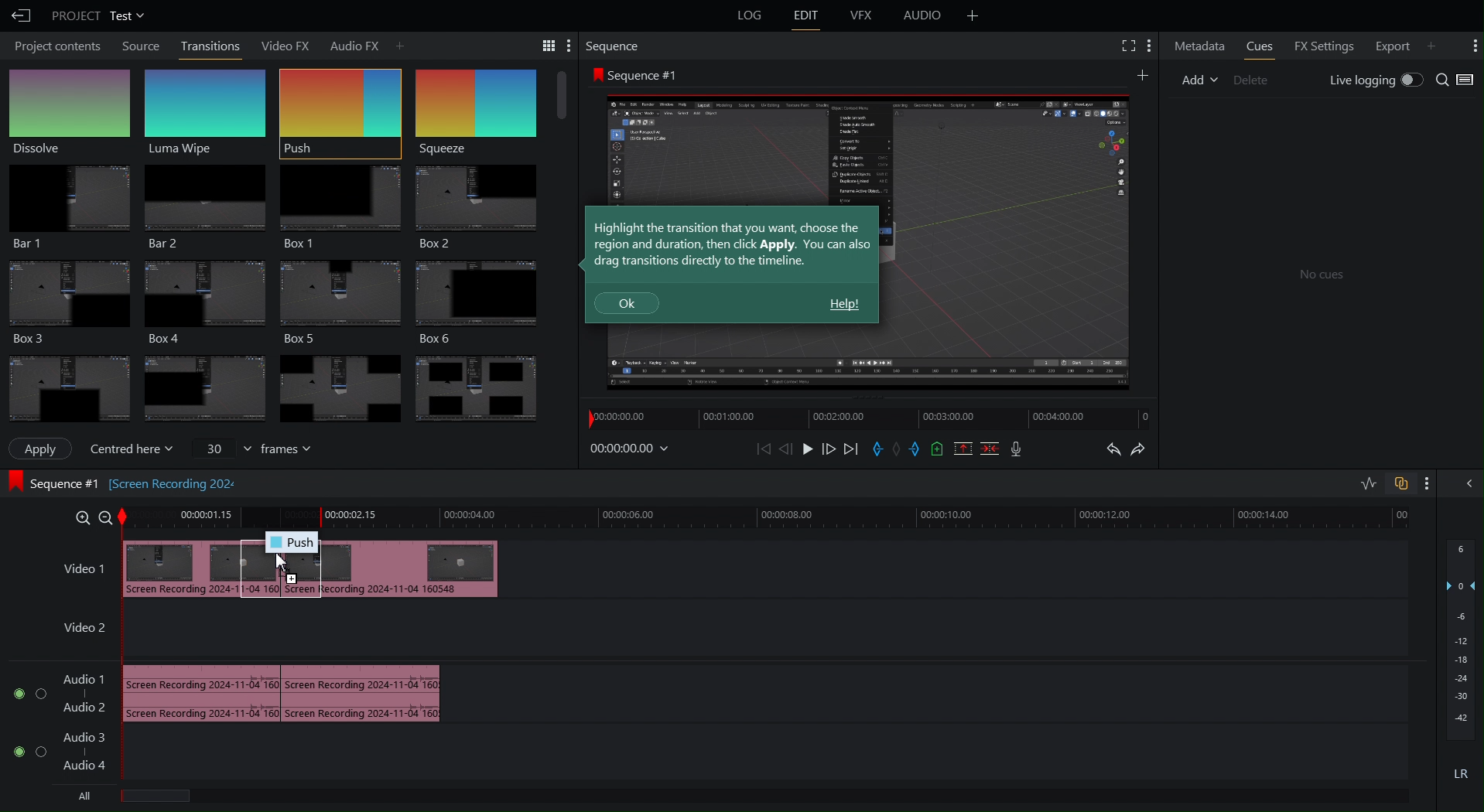  What do you see at coordinates (962, 448) in the screenshot?
I see `Remove Selected Part` at bounding box center [962, 448].